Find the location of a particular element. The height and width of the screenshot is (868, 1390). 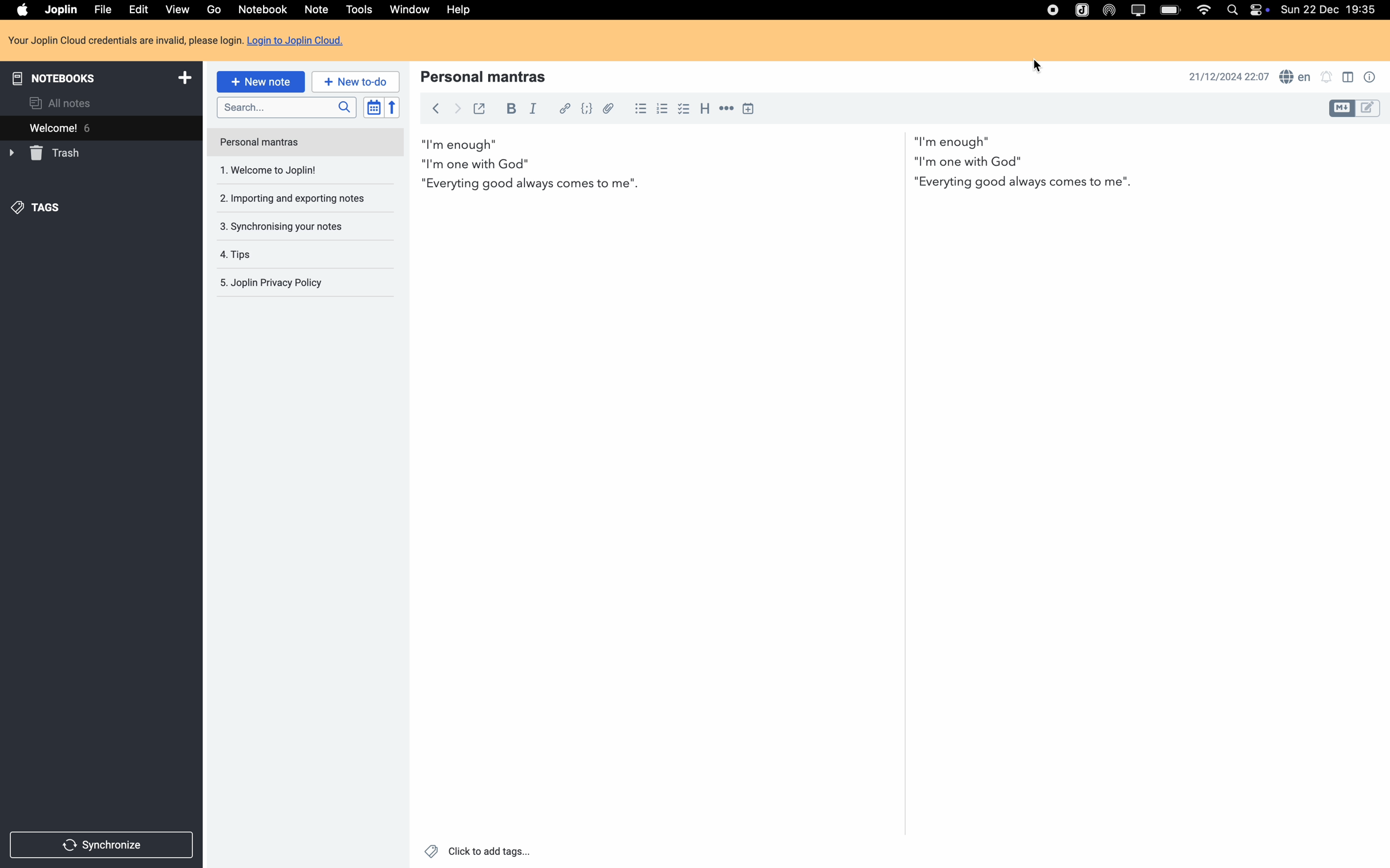

reverse sort order is located at coordinates (392, 106).